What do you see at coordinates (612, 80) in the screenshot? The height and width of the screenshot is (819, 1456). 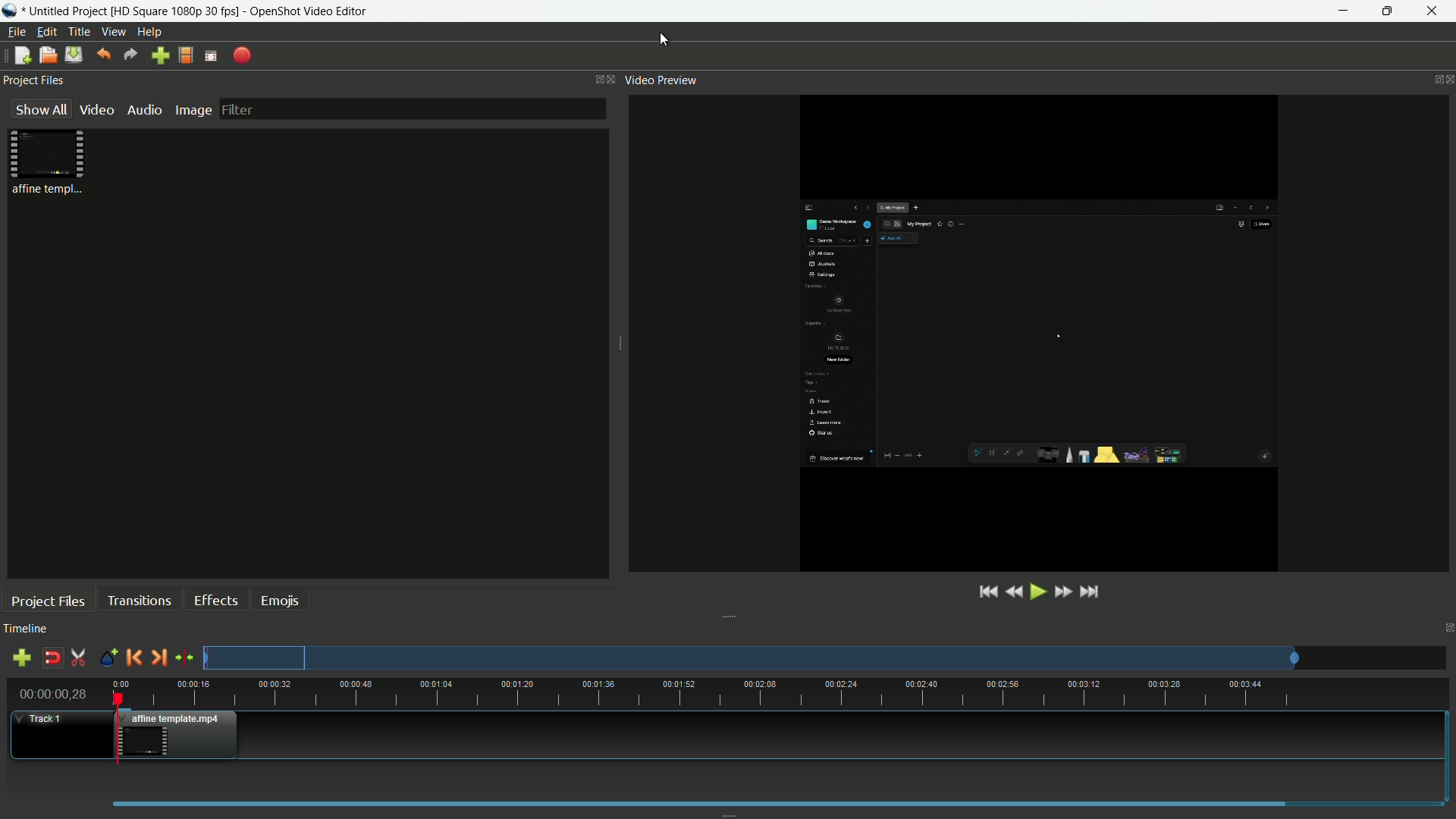 I see `close project files` at bounding box center [612, 80].